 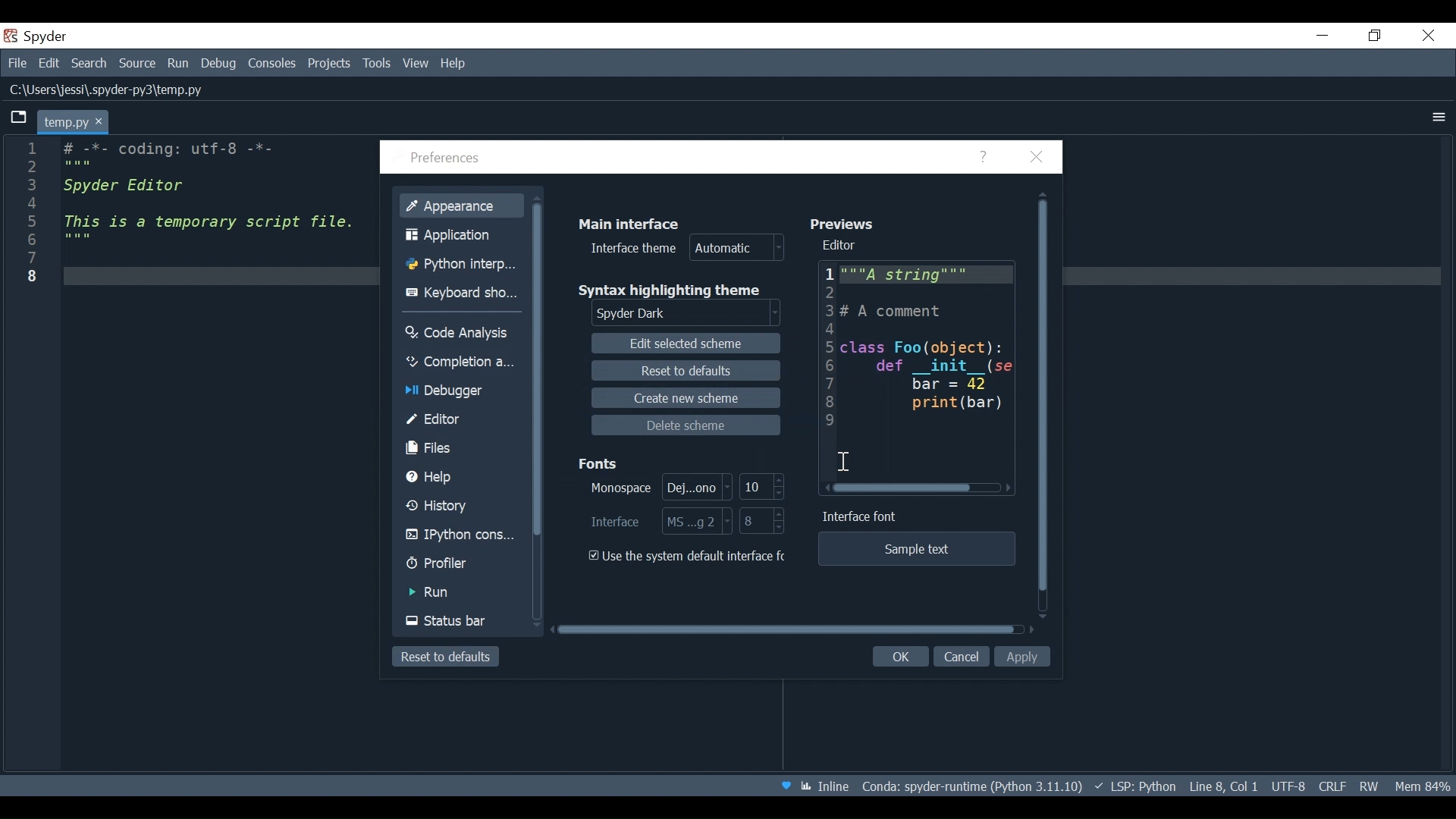 I want to click on Toggle between inline and interactive Matplotlib plotting, so click(x=827, y=786).